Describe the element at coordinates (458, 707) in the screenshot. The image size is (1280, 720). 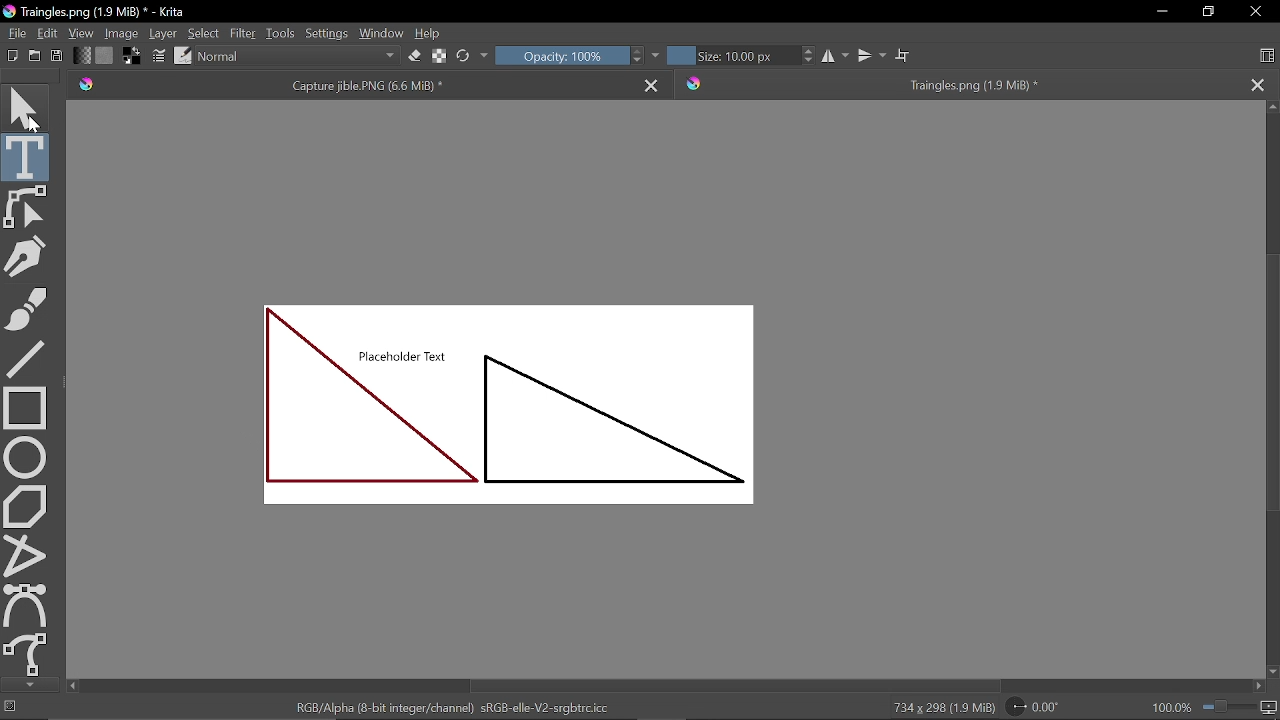
I see `'RGB/Alpha (8-bit integer/channel) sRGB-elle-V2-srgbtrc.icc` at that location.